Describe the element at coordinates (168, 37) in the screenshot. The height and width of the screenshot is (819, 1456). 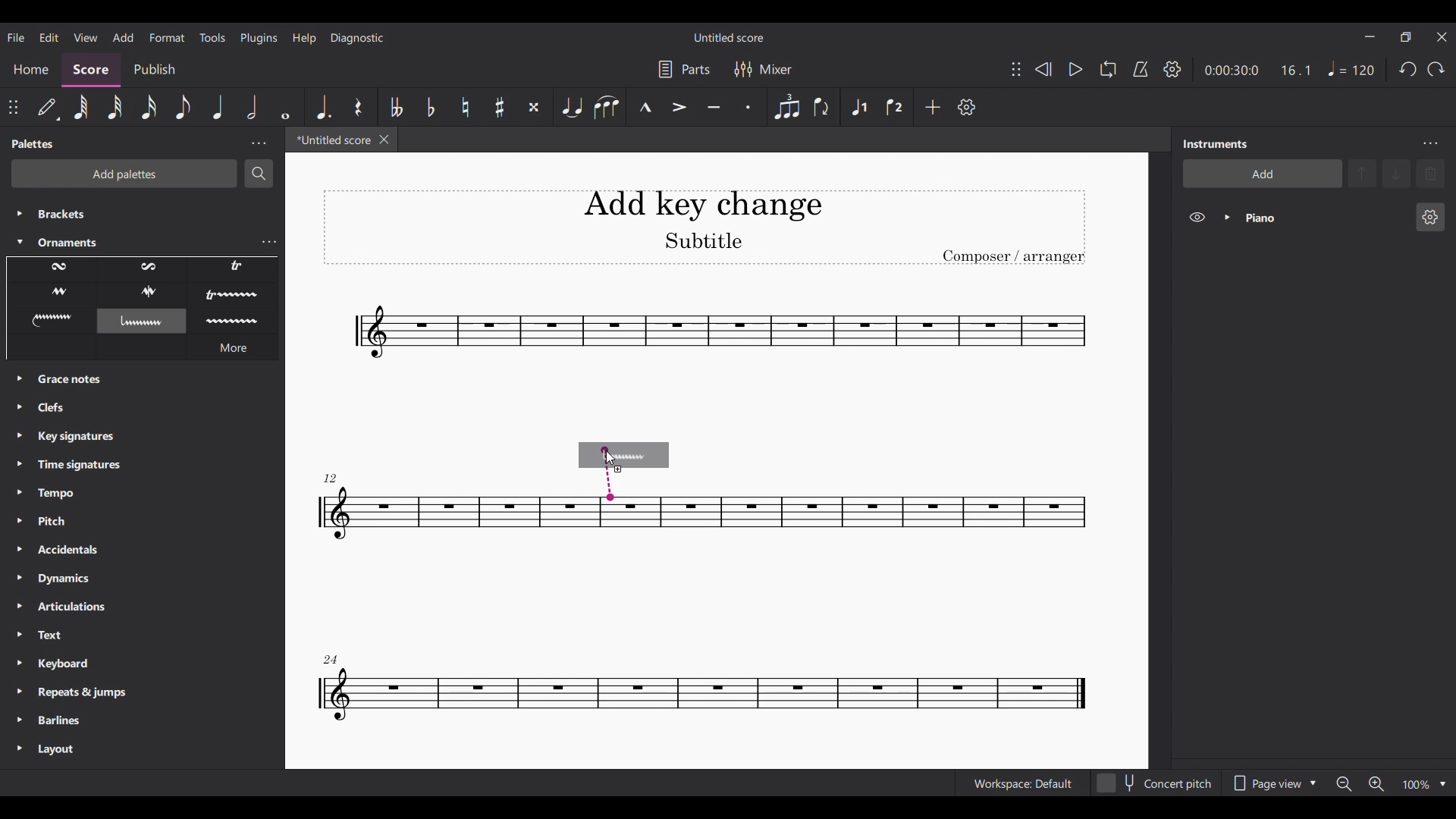
I see `Format menu` at that location.